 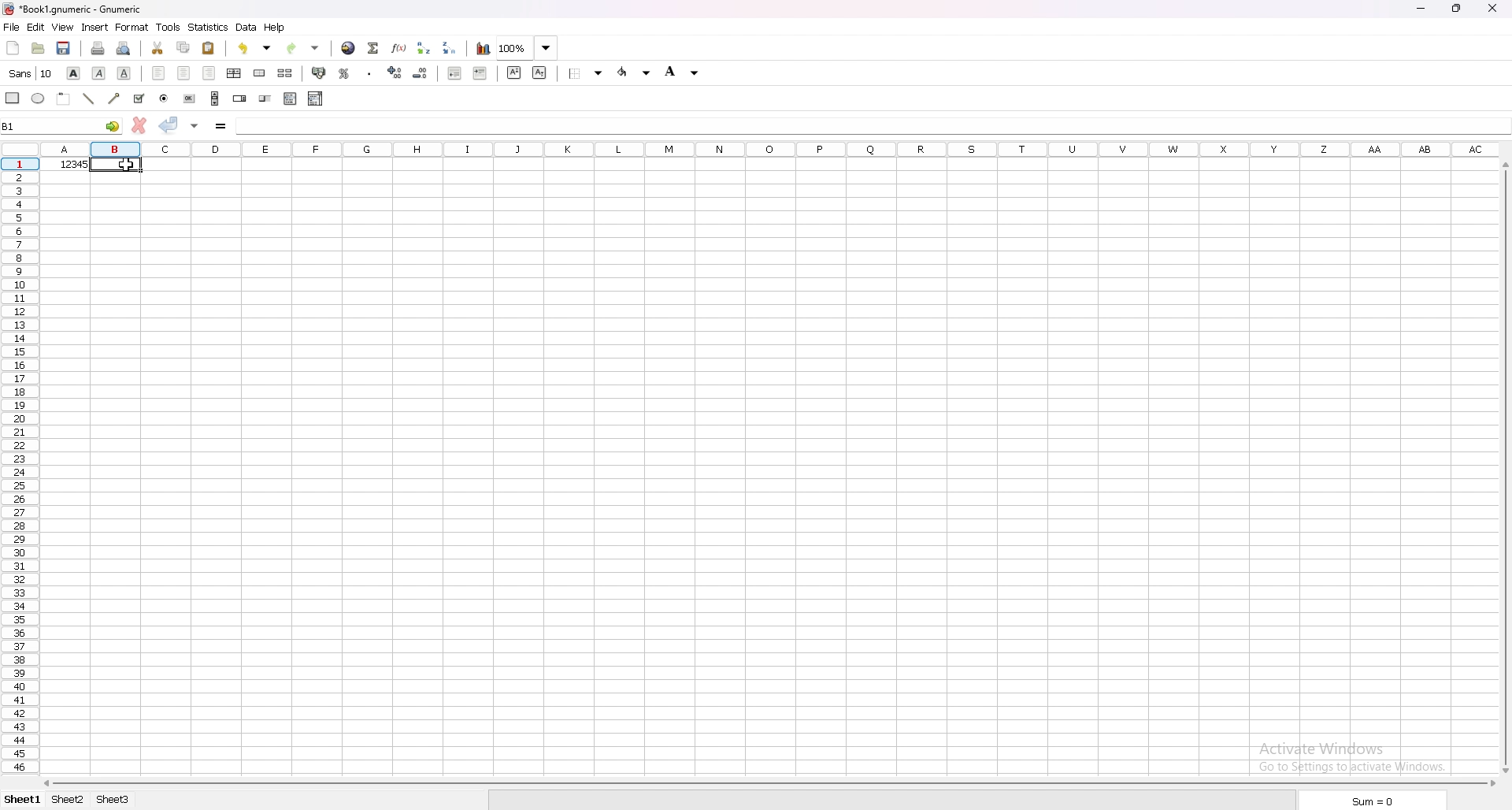 I want to click on list, so click(x=290, y=98).